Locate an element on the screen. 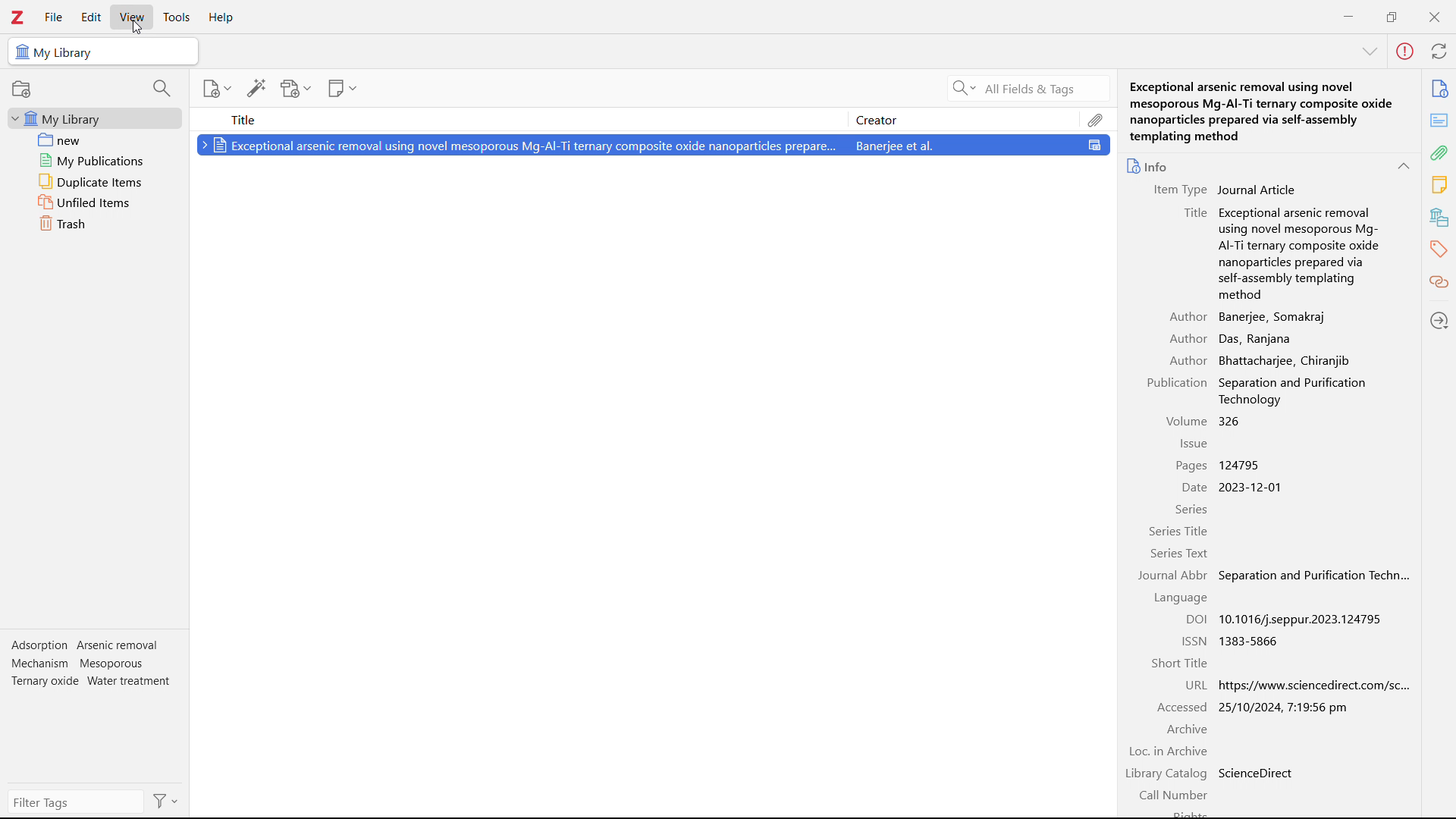 The height and width of the screenshot is (819, 1456). minimize is located at coordinates (1350, 15).